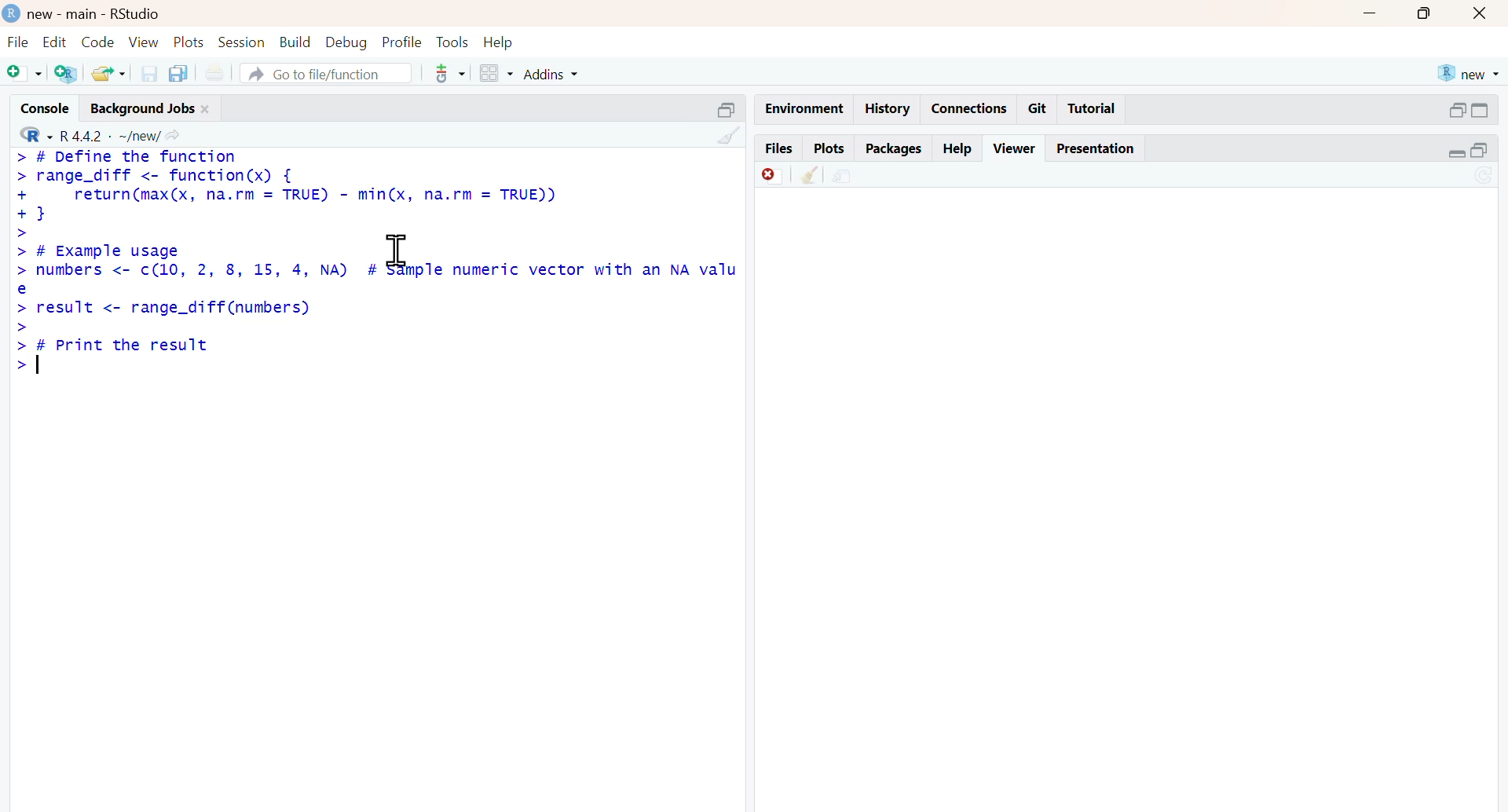  Describe the element at coordinates (397, 251) in the screenshot. I see `cursor` at that location.